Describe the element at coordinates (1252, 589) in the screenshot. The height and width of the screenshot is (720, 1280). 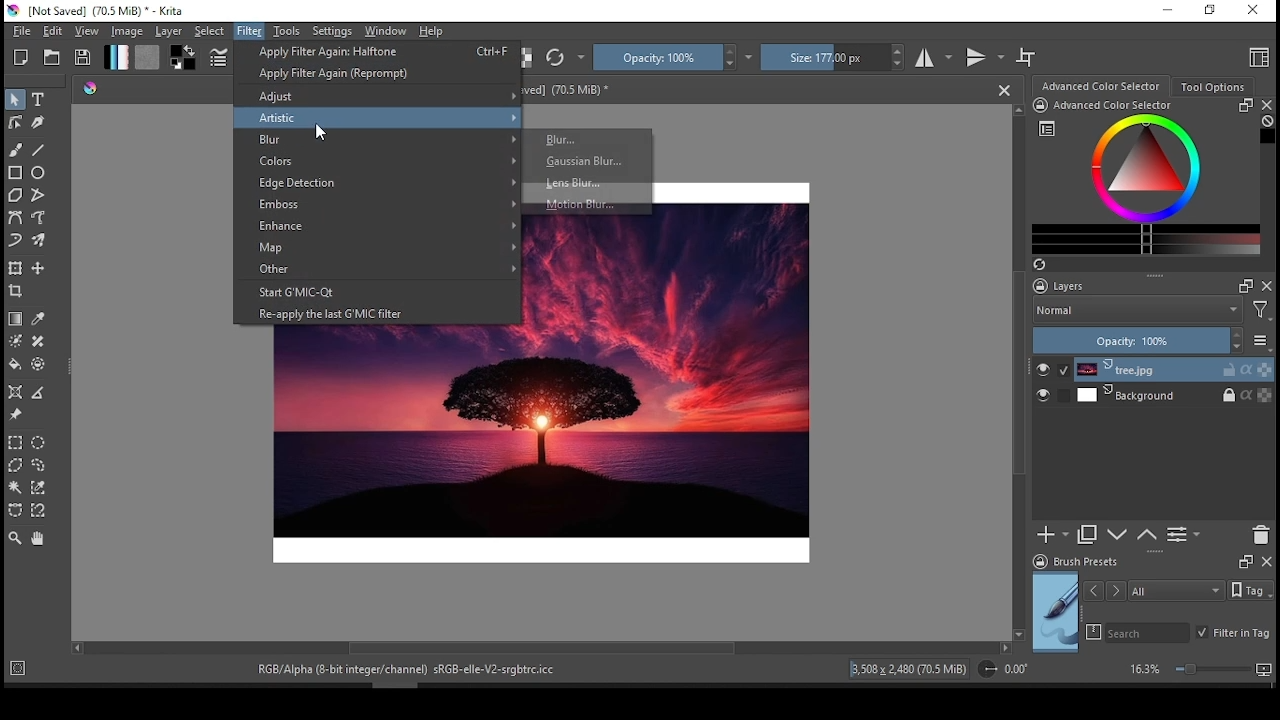
I see `Tags` at that location.